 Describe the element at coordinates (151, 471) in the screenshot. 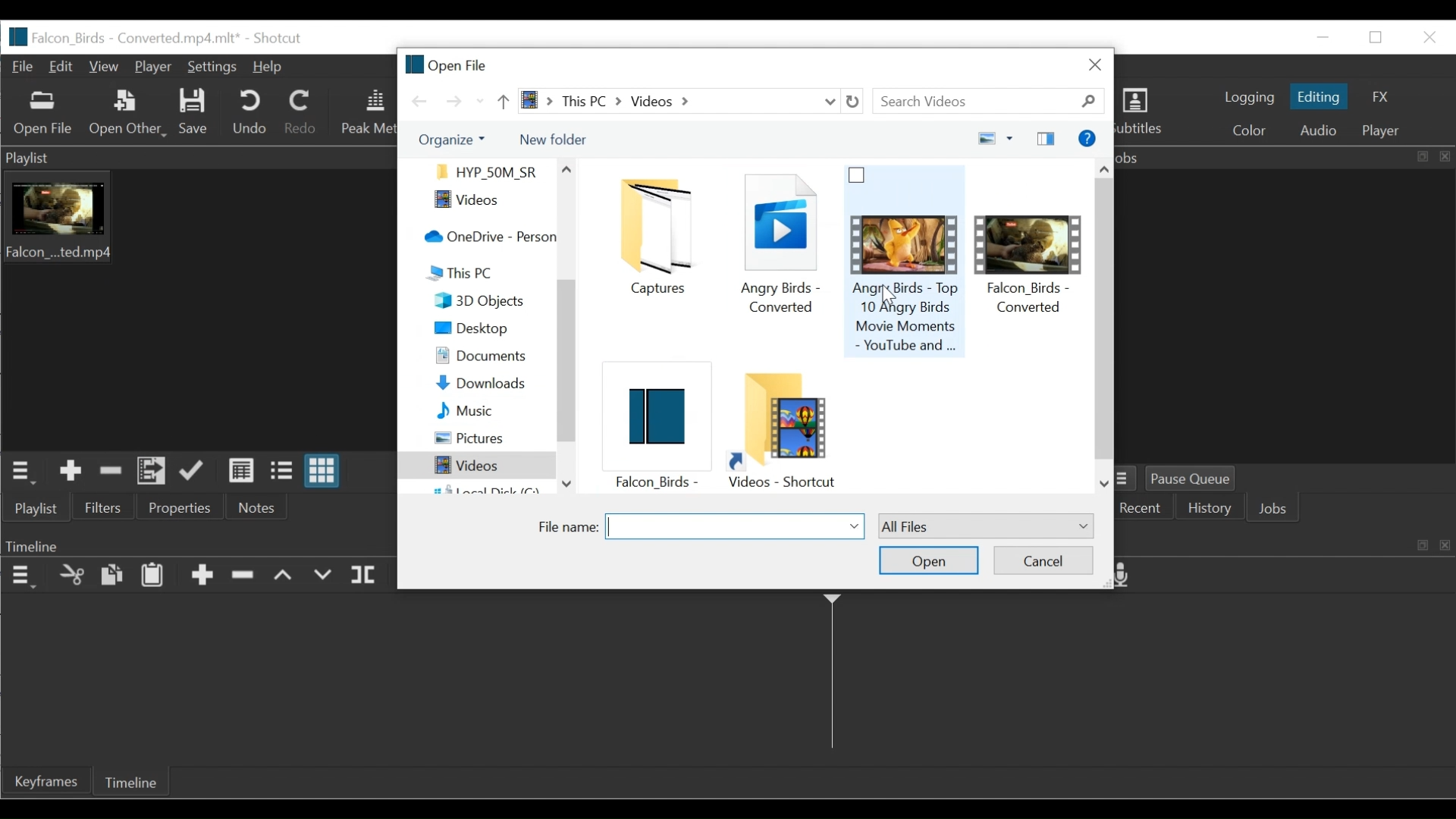

I see `Add the files to the playlist` at that location.